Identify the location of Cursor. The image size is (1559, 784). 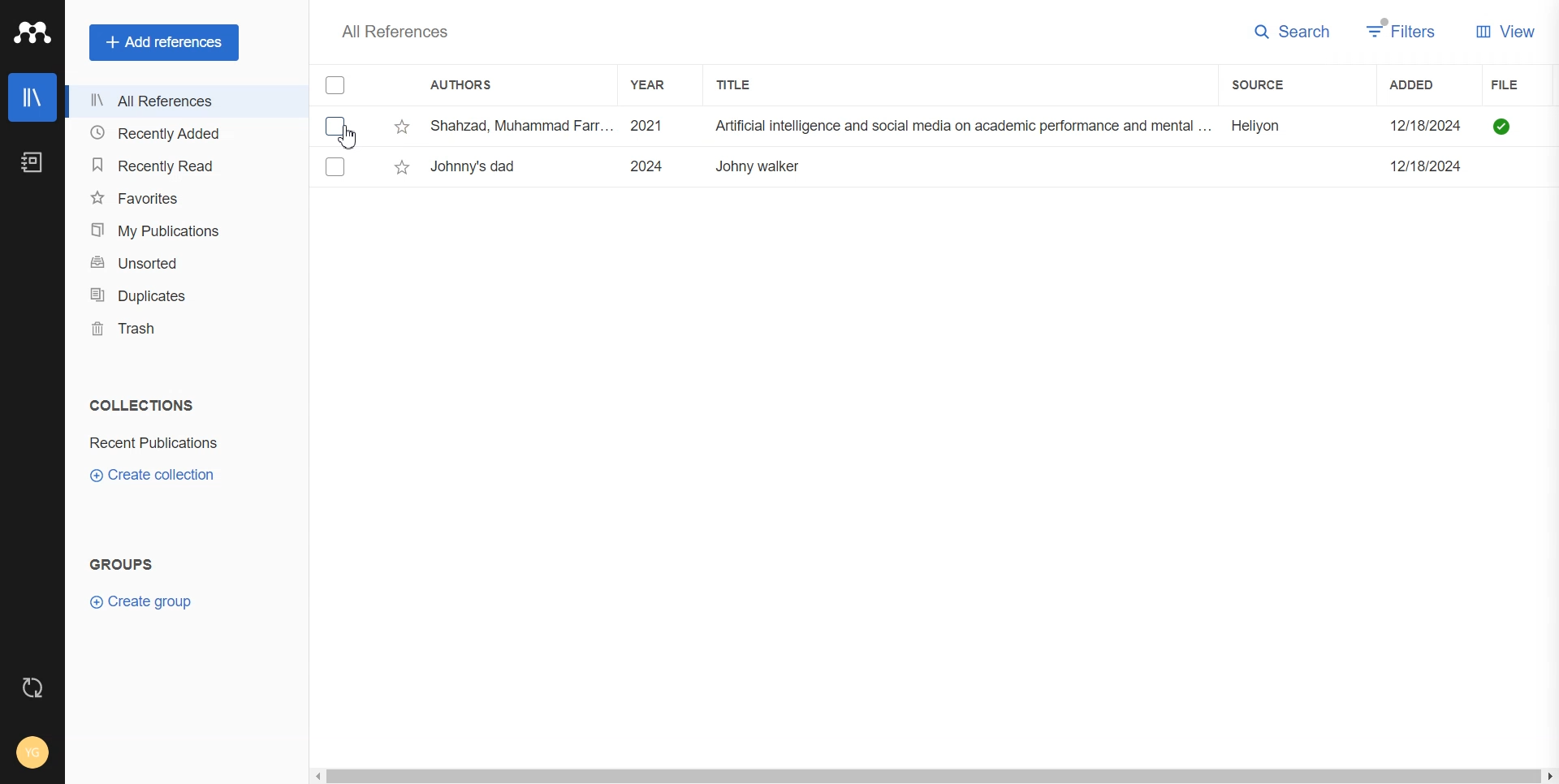
(351, 137).